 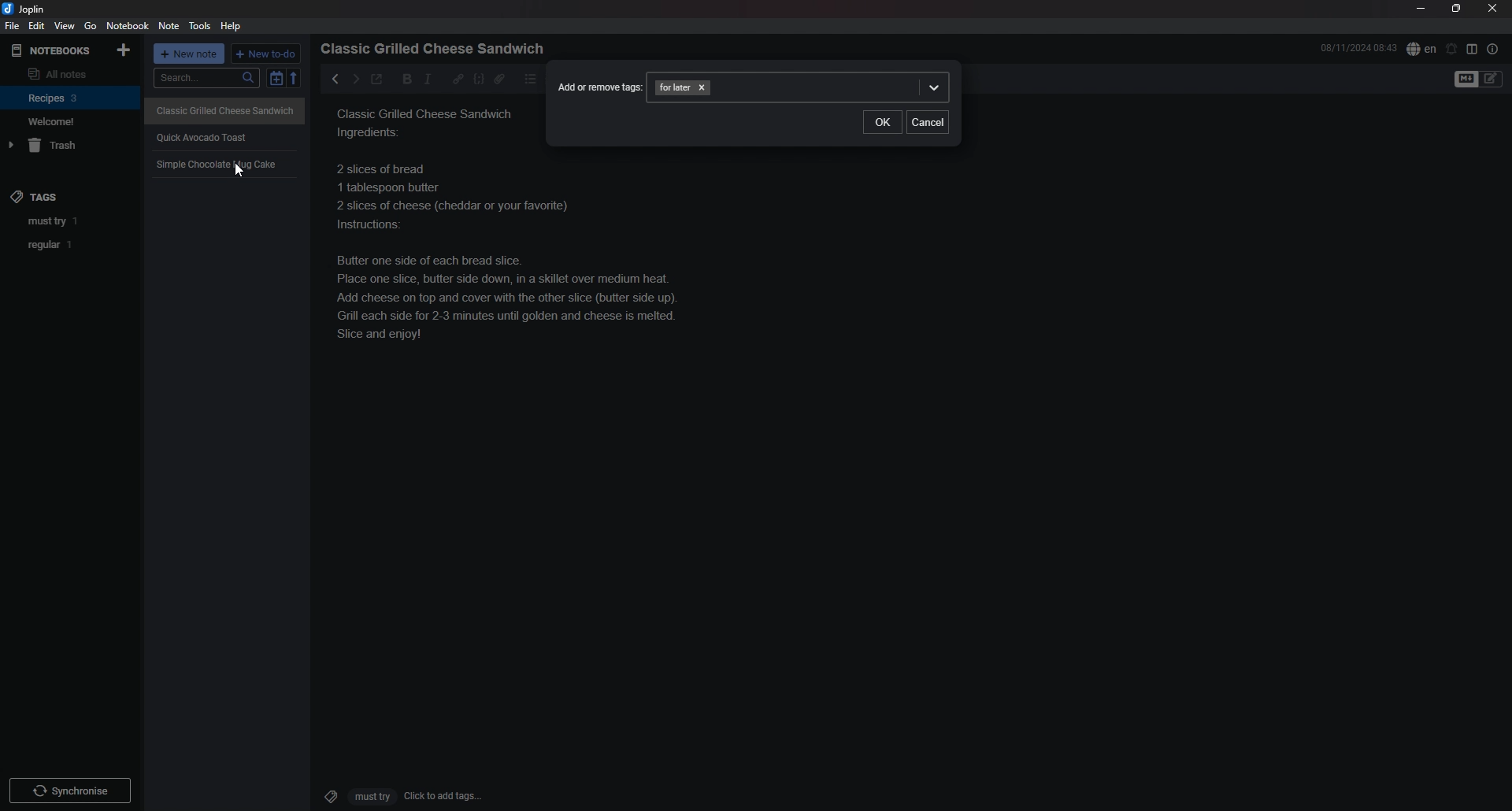 I want to click on new note, so click(x=191, y=55).